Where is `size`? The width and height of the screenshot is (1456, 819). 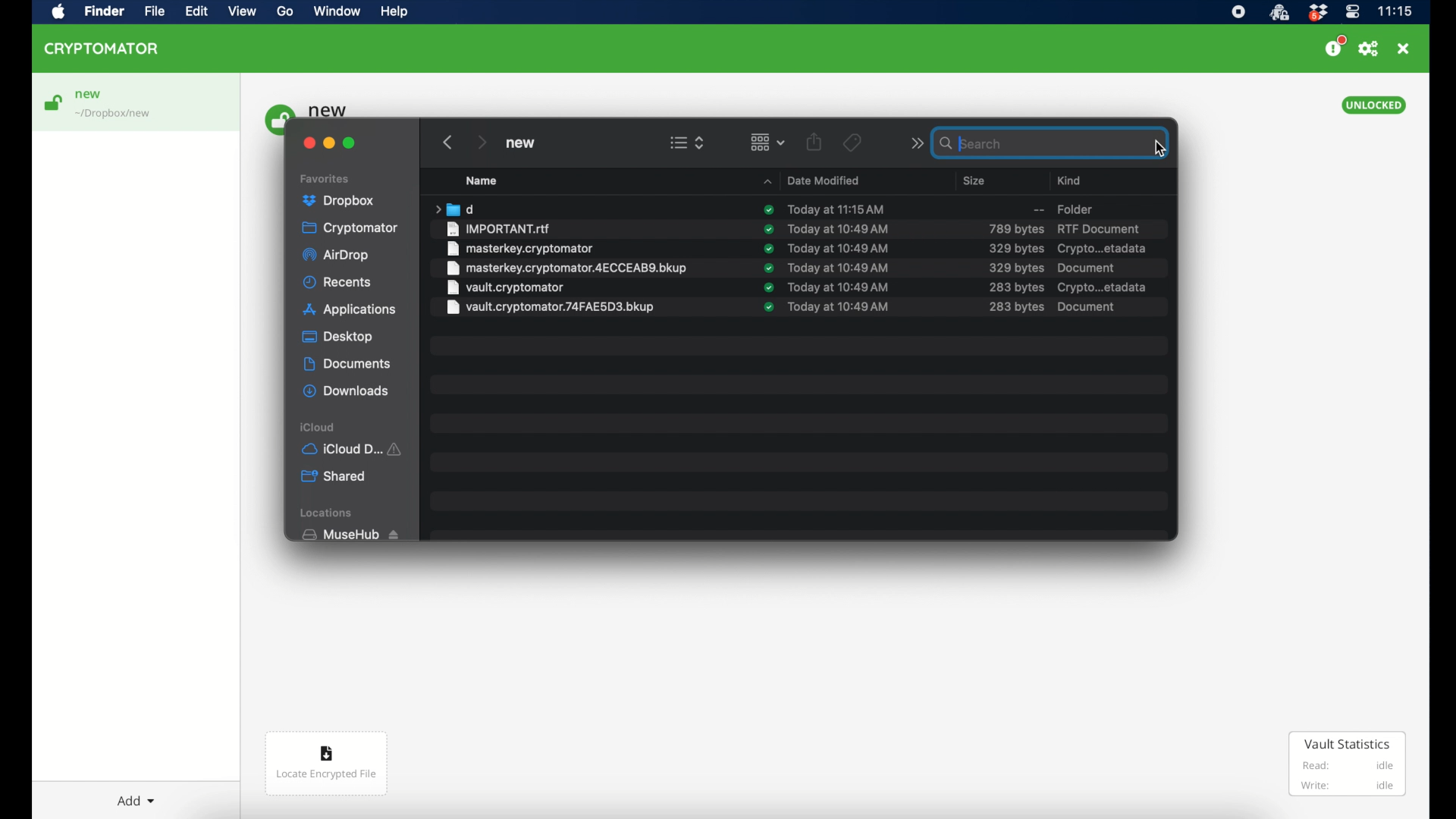 size is located at coordinates (974, 180).